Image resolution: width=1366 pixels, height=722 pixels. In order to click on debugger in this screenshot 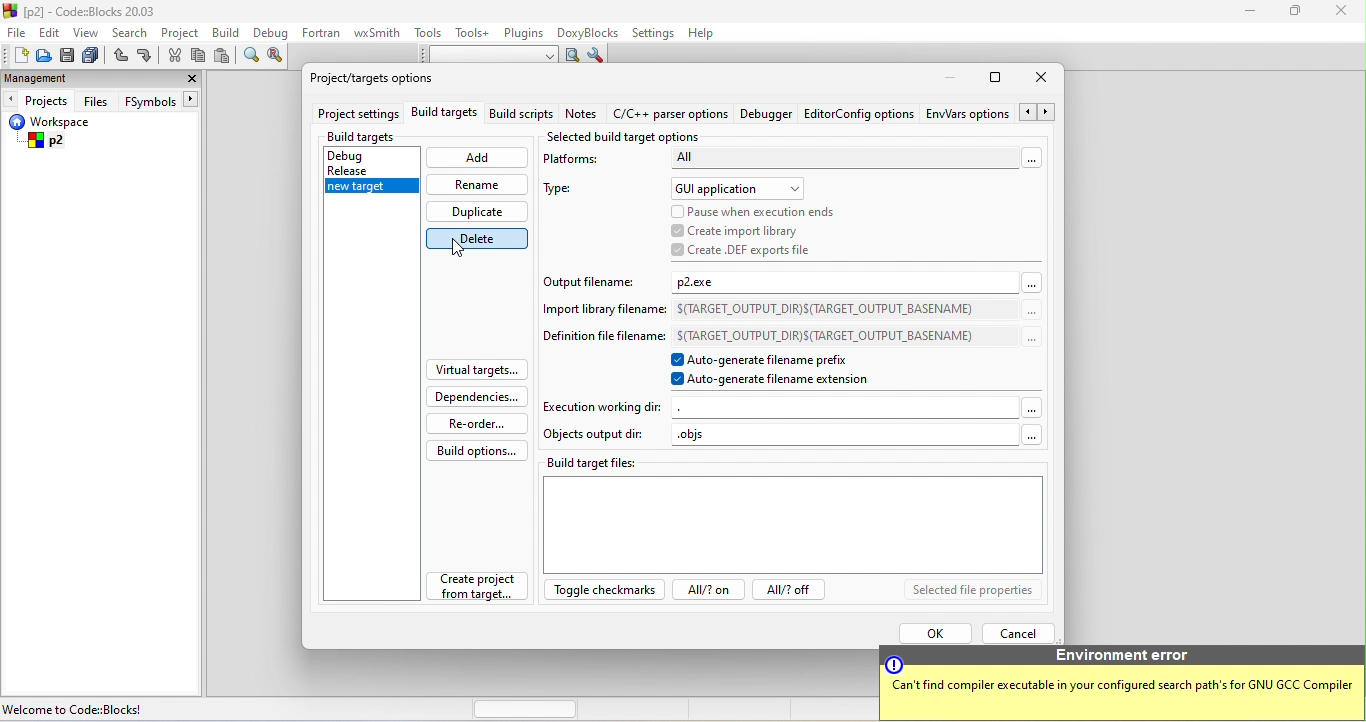, I will do `click(768, 116)`.